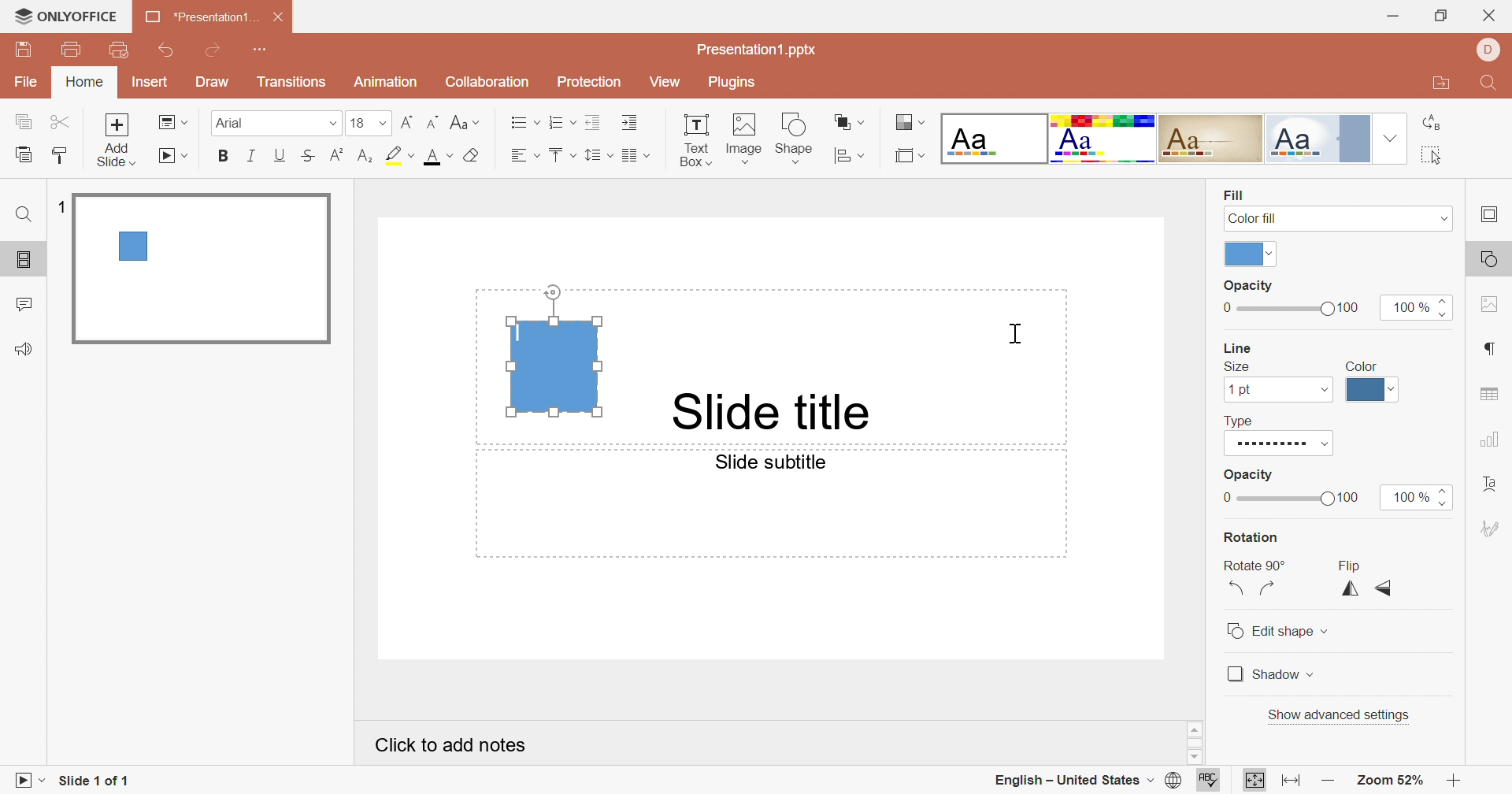 The height and width of the screenshot is (794, 1512). I want to click on Close, so click(275, 19).